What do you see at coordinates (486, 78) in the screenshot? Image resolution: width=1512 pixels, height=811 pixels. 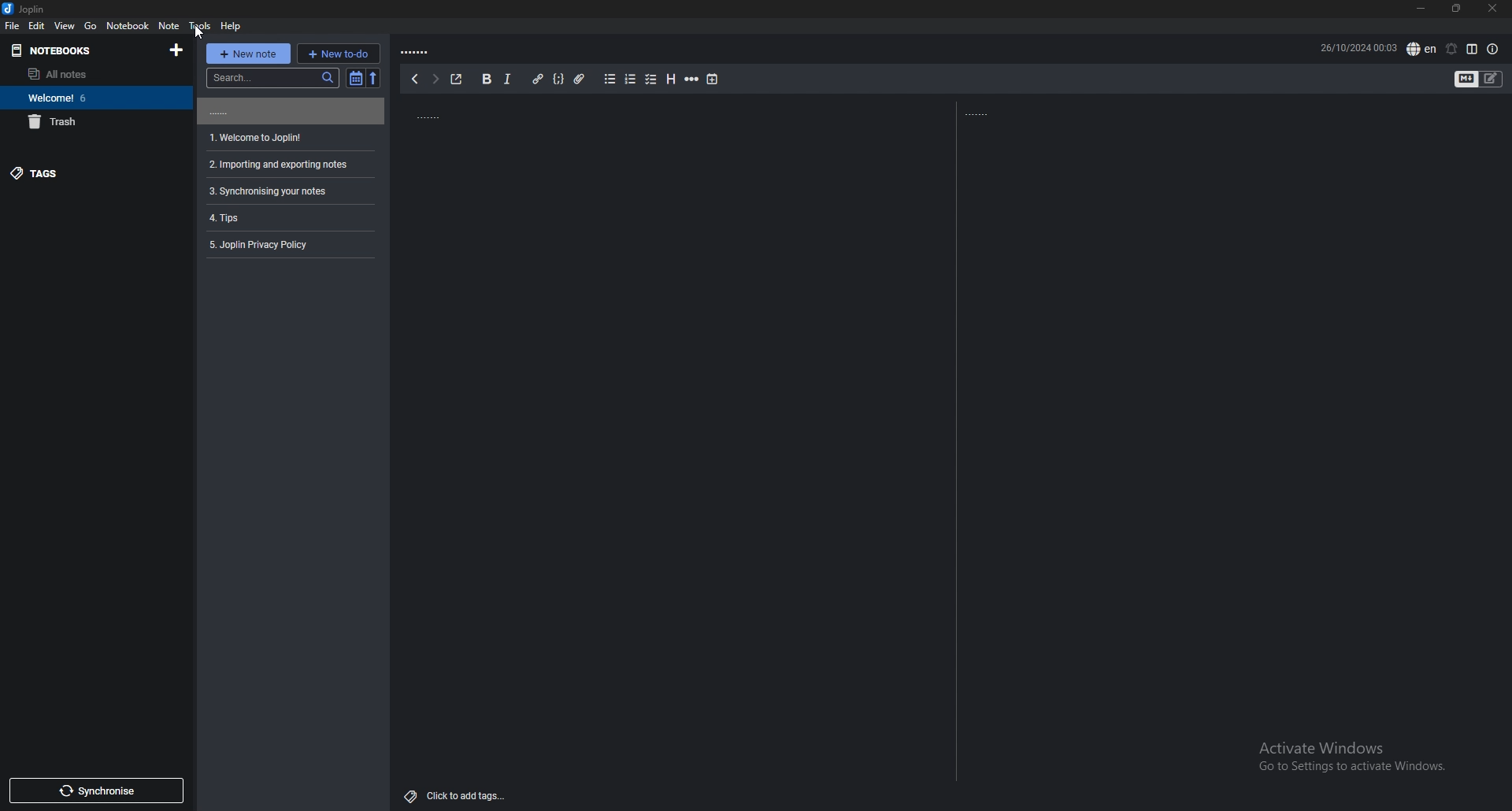 I see `bold` at bounding box center [486, 78].